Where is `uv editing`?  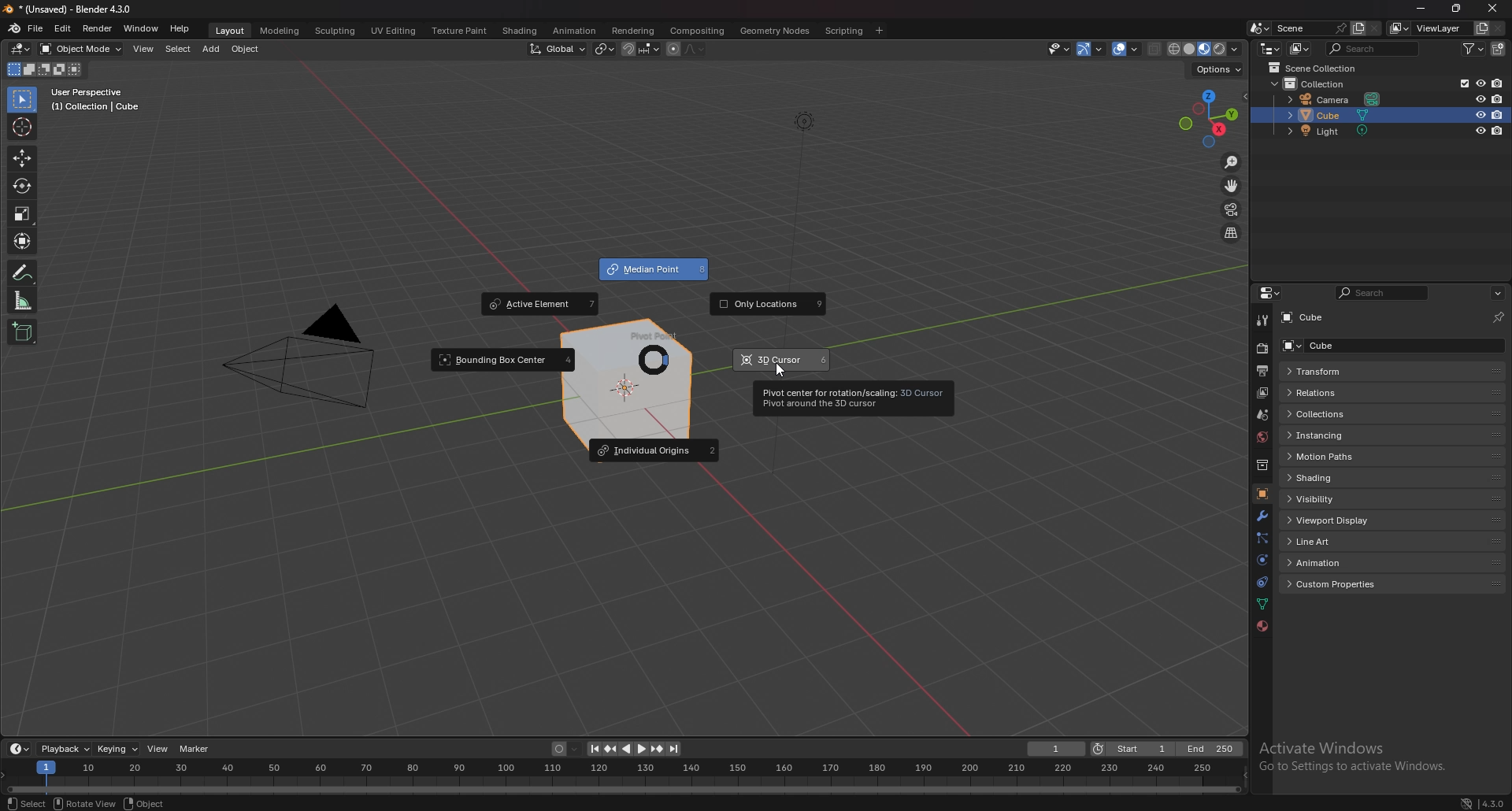
uv editing is located at coordinates (394, 31).